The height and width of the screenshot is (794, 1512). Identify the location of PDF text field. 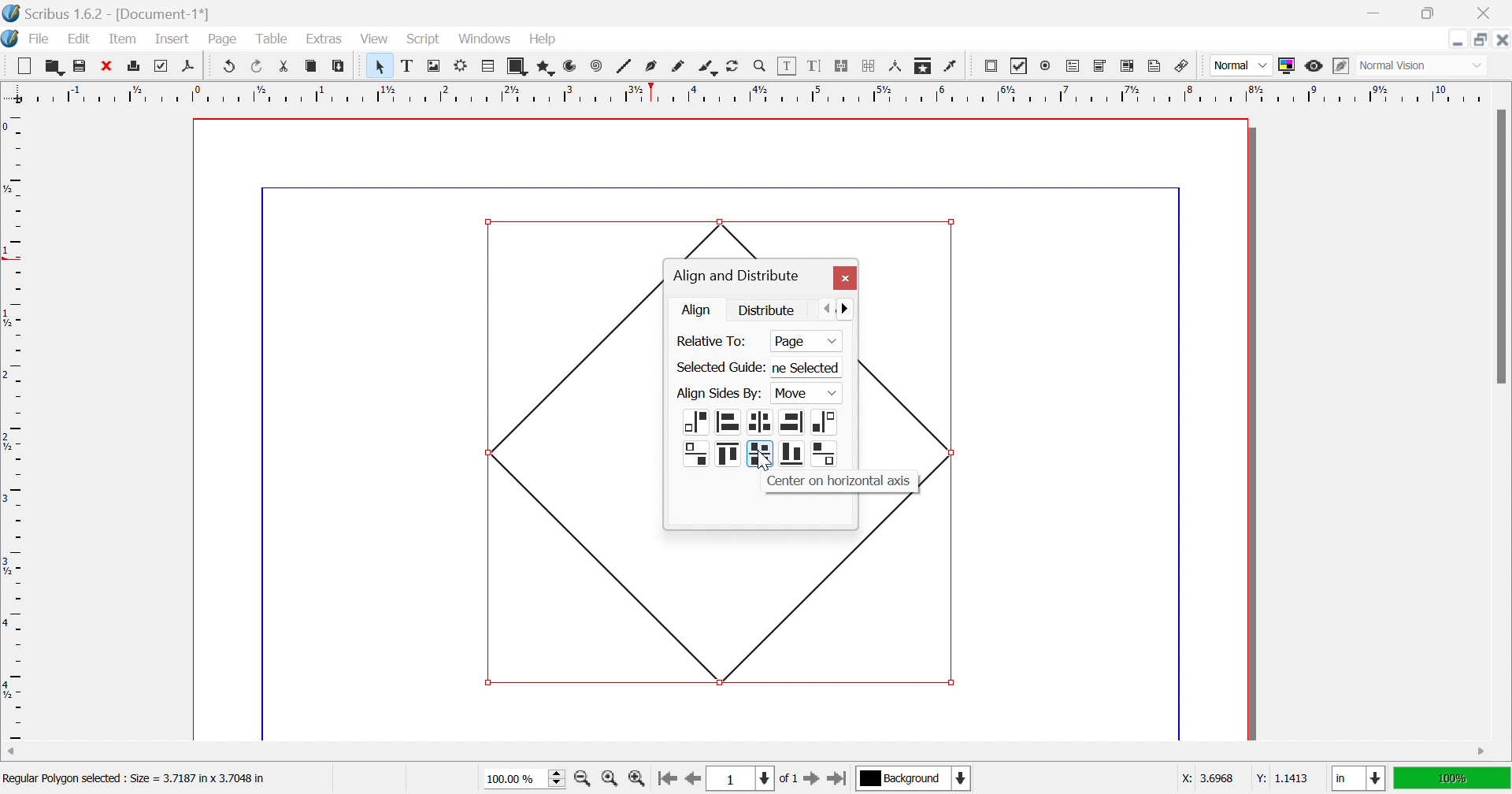
(1075, 67).